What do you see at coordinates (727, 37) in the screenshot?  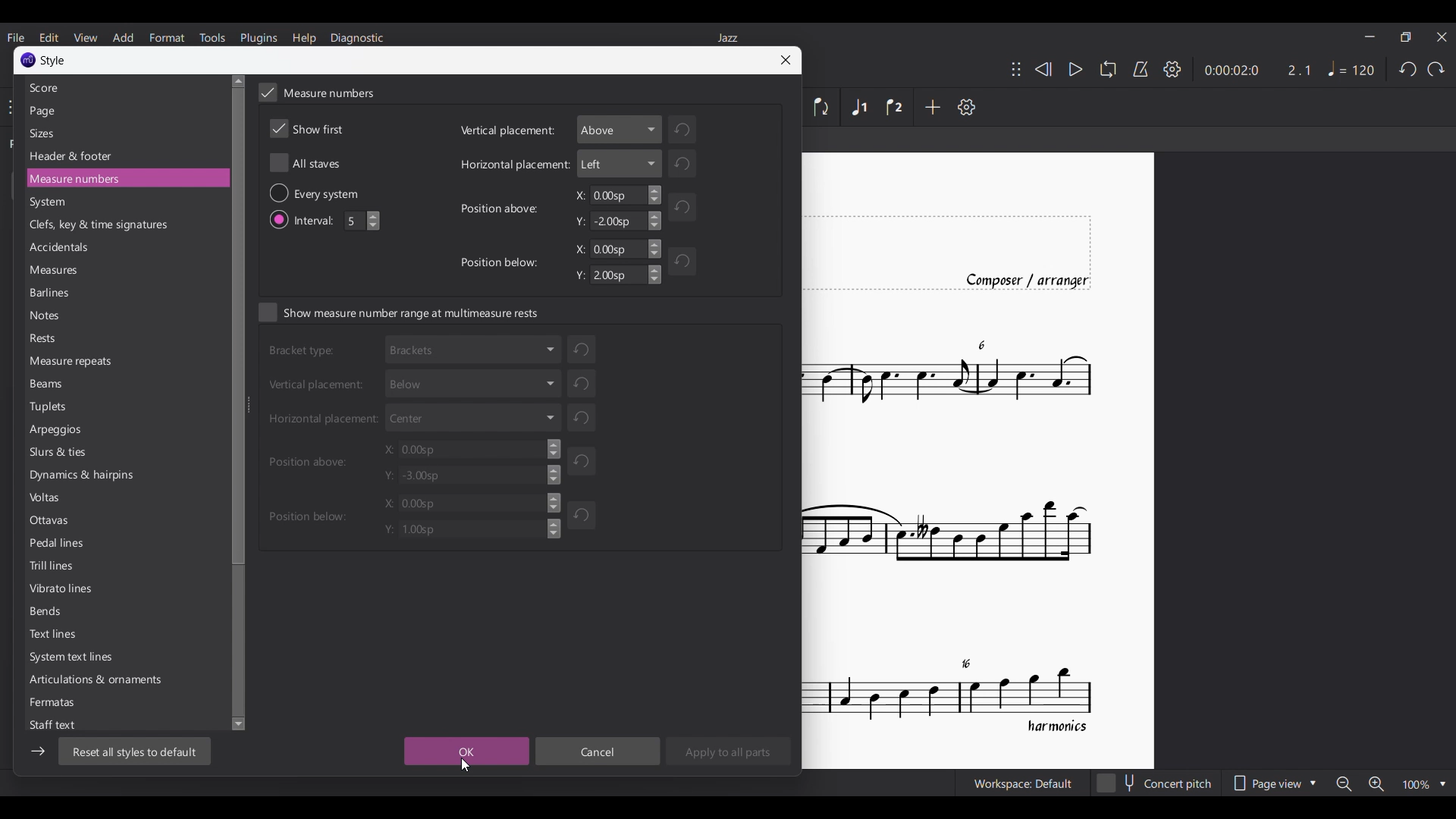 I see `Current score title` at bounding box center [727, 37].